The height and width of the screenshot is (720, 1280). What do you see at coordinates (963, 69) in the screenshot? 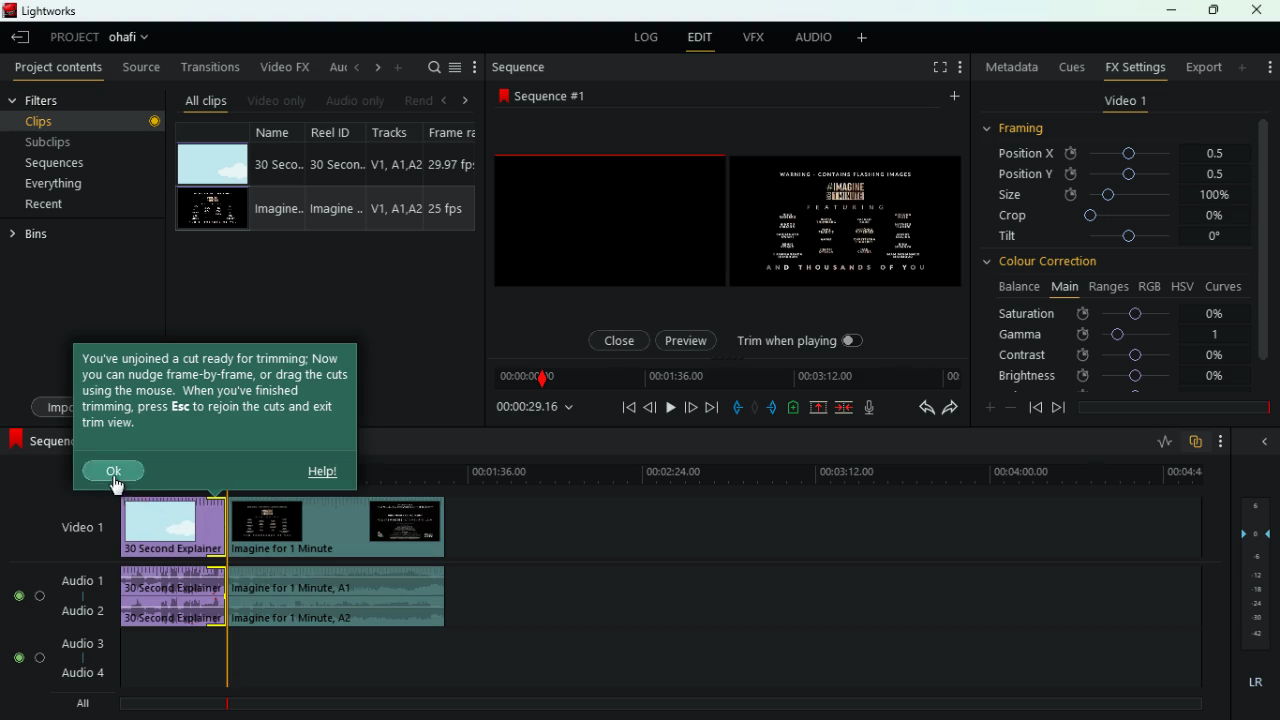
I see `more` at bounding box center [963, 69].